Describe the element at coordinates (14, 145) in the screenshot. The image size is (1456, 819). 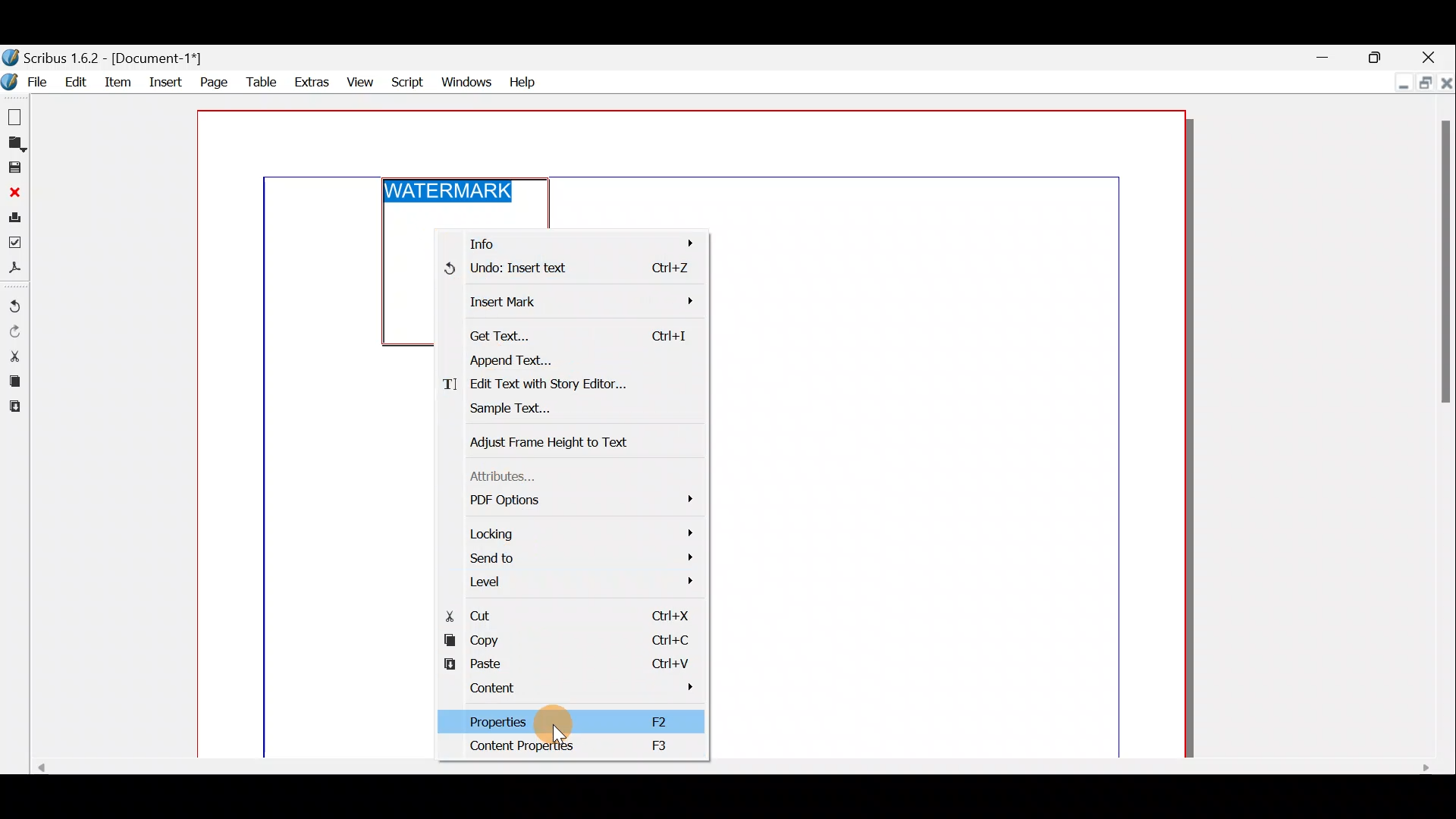
I see `Open` at that location.